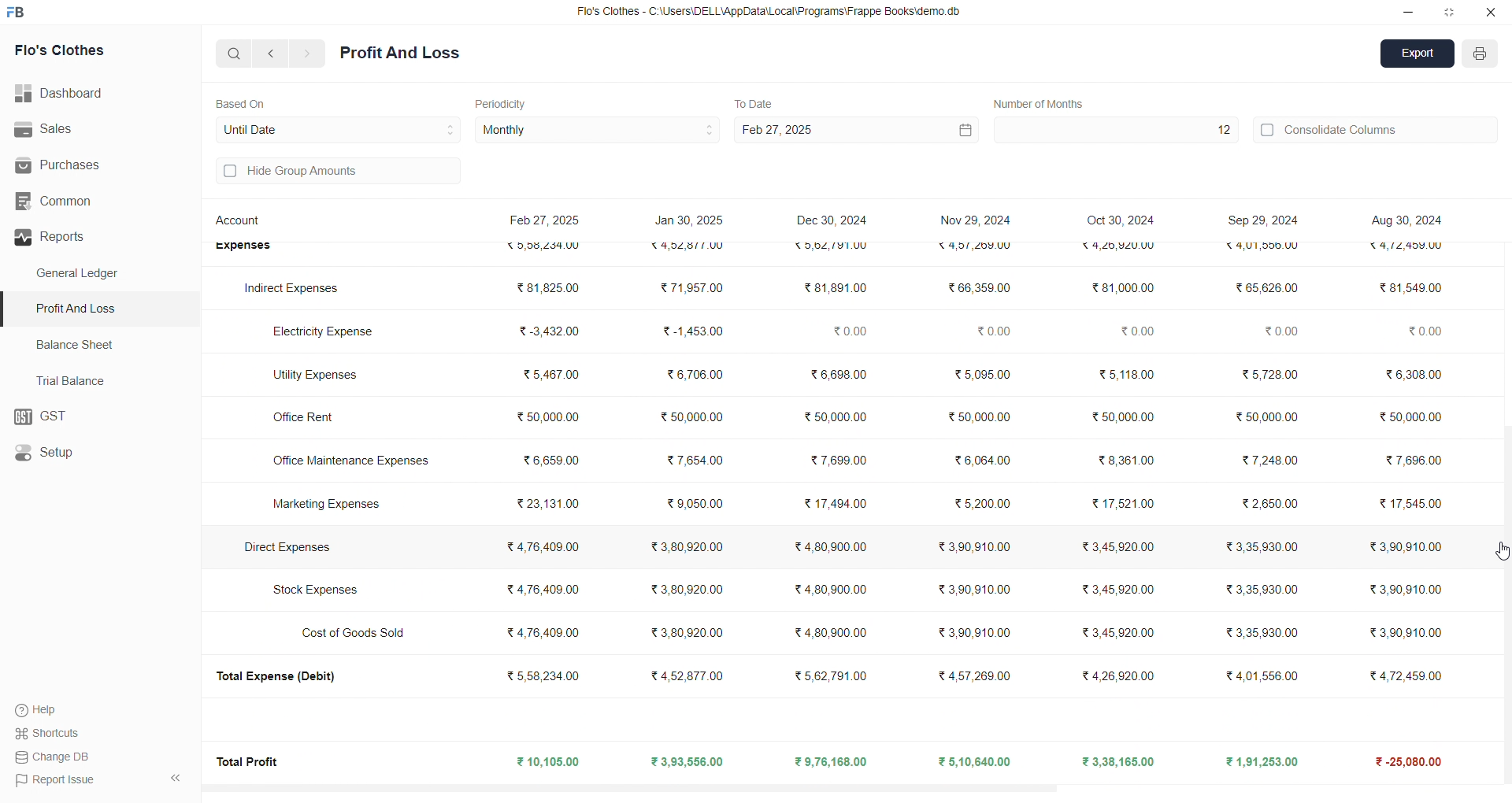  Describe the element at coordinates (98, 417) in the screenshot. I see `GST` at that location.